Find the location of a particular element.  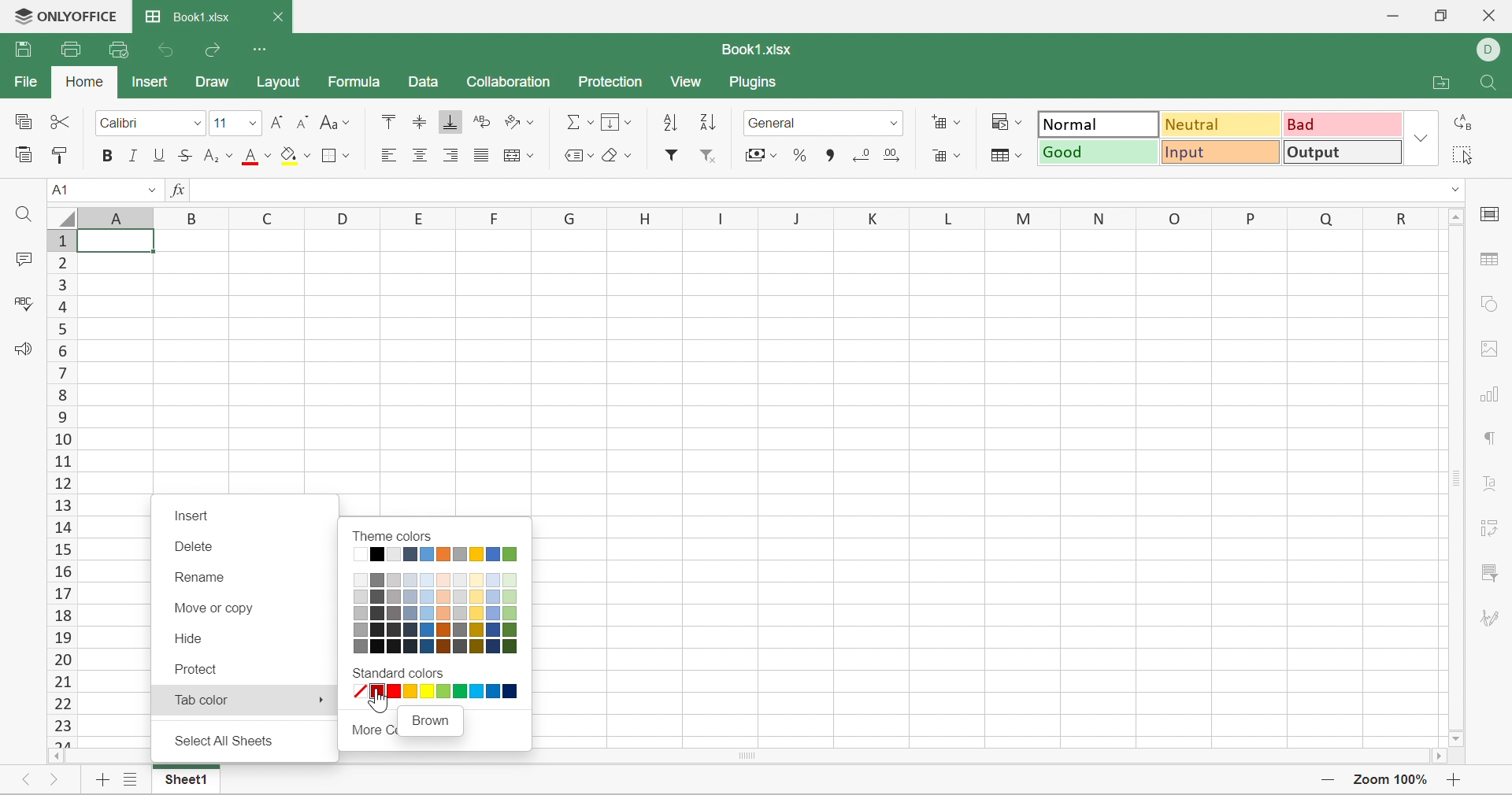

Text art settings is located at coordinates (1491, 483).